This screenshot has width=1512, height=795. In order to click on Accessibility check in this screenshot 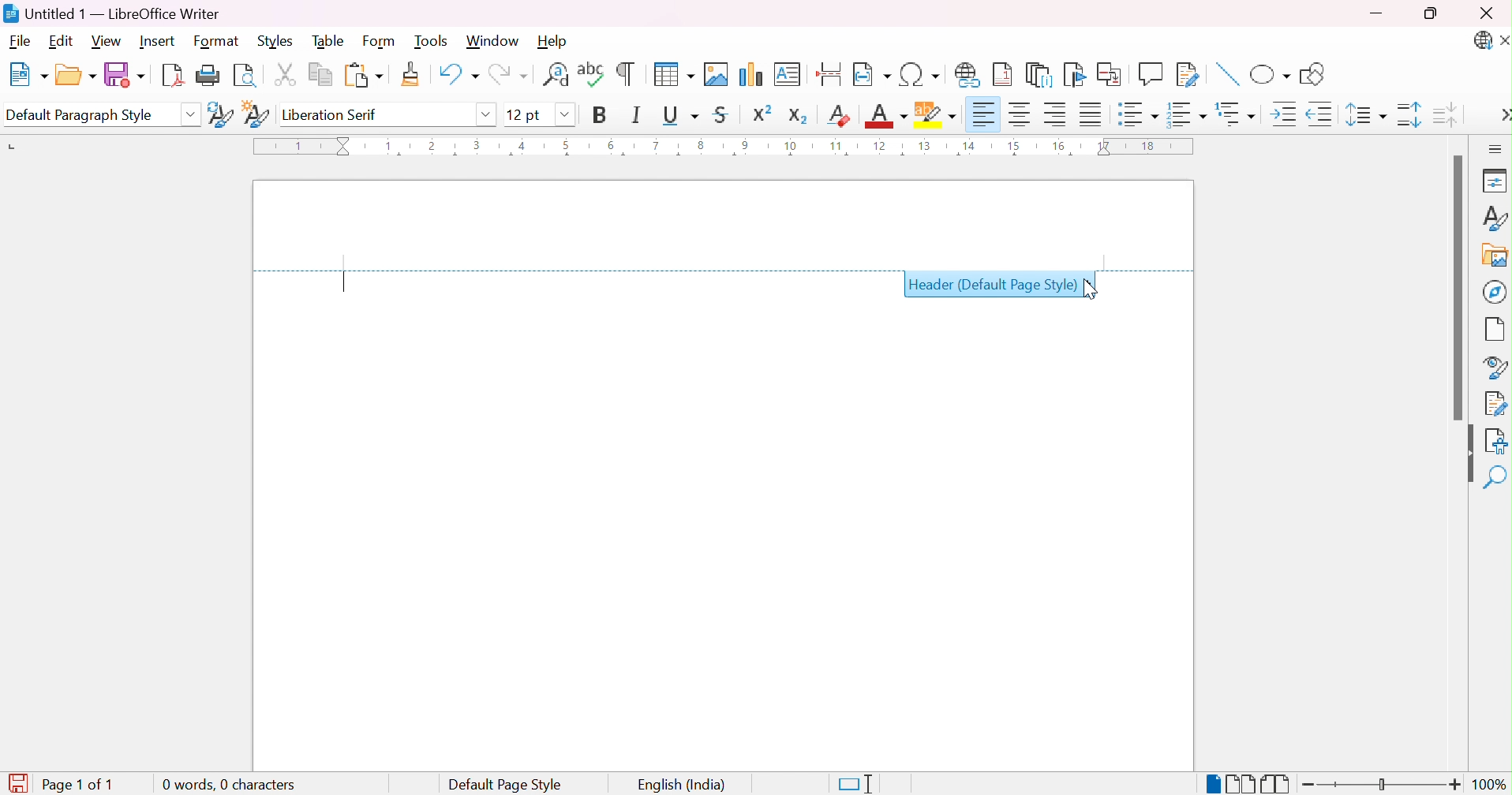, I will do `click(1497, 439)`.